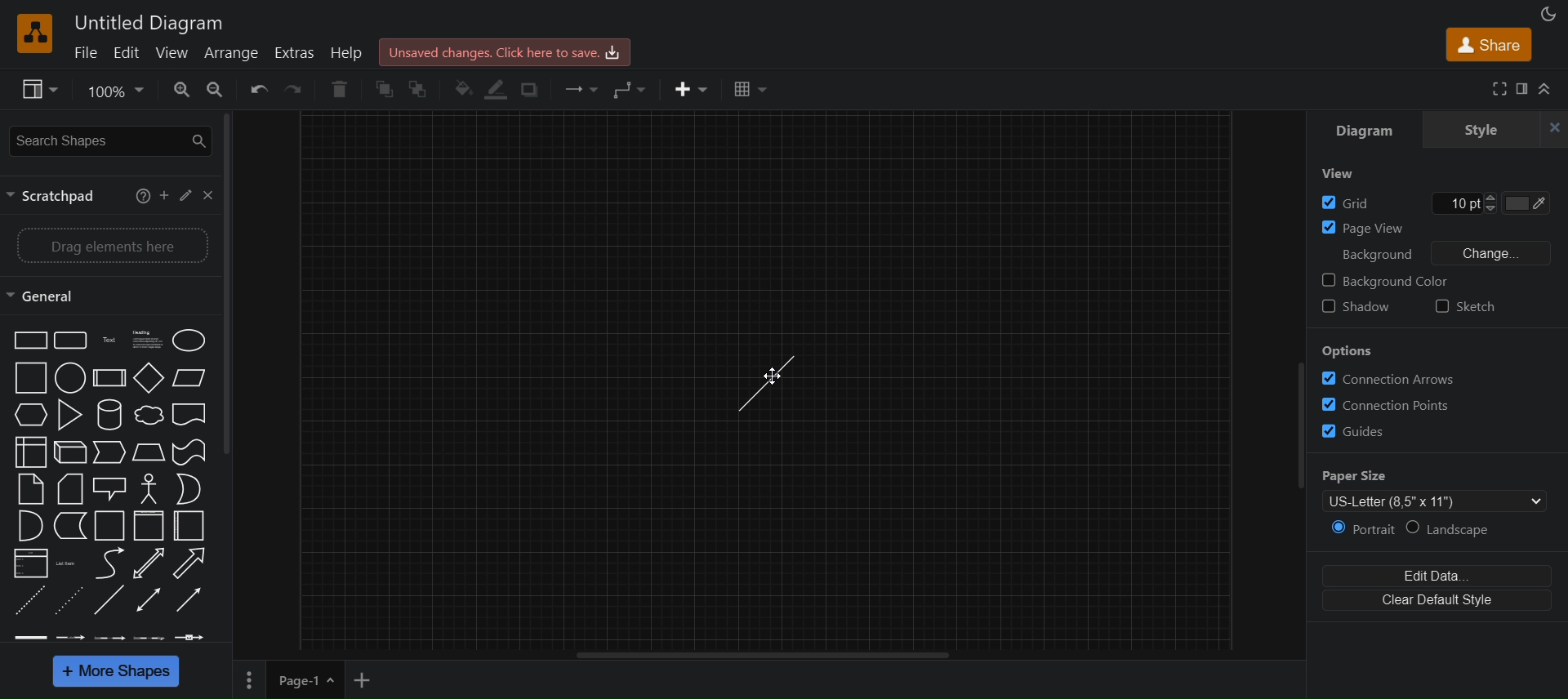 The height and width of the screenshot is (699, 1568). I want to click on insert page, so click(365, 681).